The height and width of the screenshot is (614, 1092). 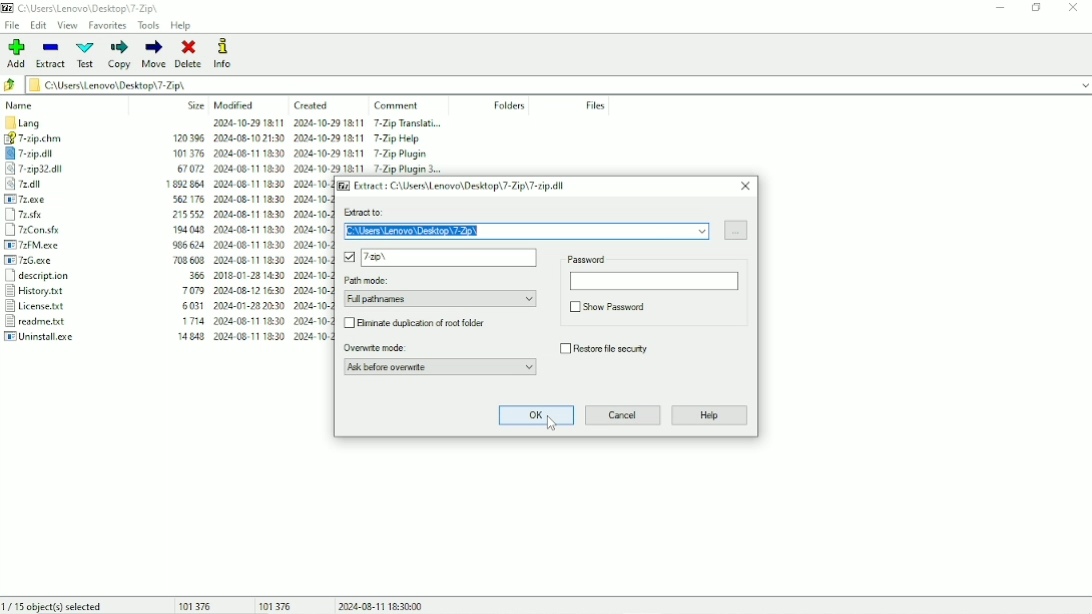 What do you see at coordinates (182, 26) in the screenshot?
I see `Help` at bounding box center [182, 26].